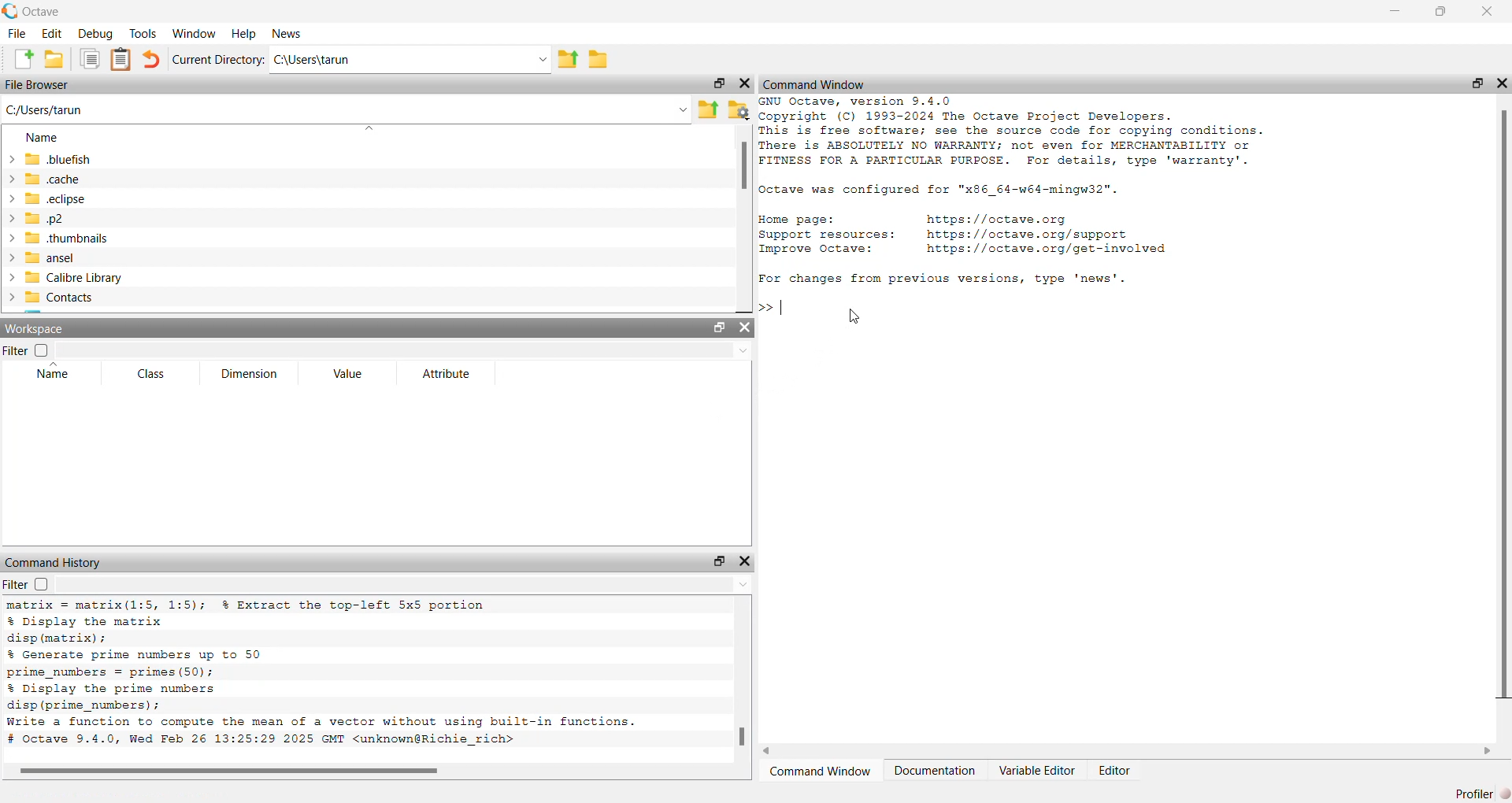 Image resolution: width=1512 pixels, height=803 pixels. I want to click on Drop-down , so click(545, 60).